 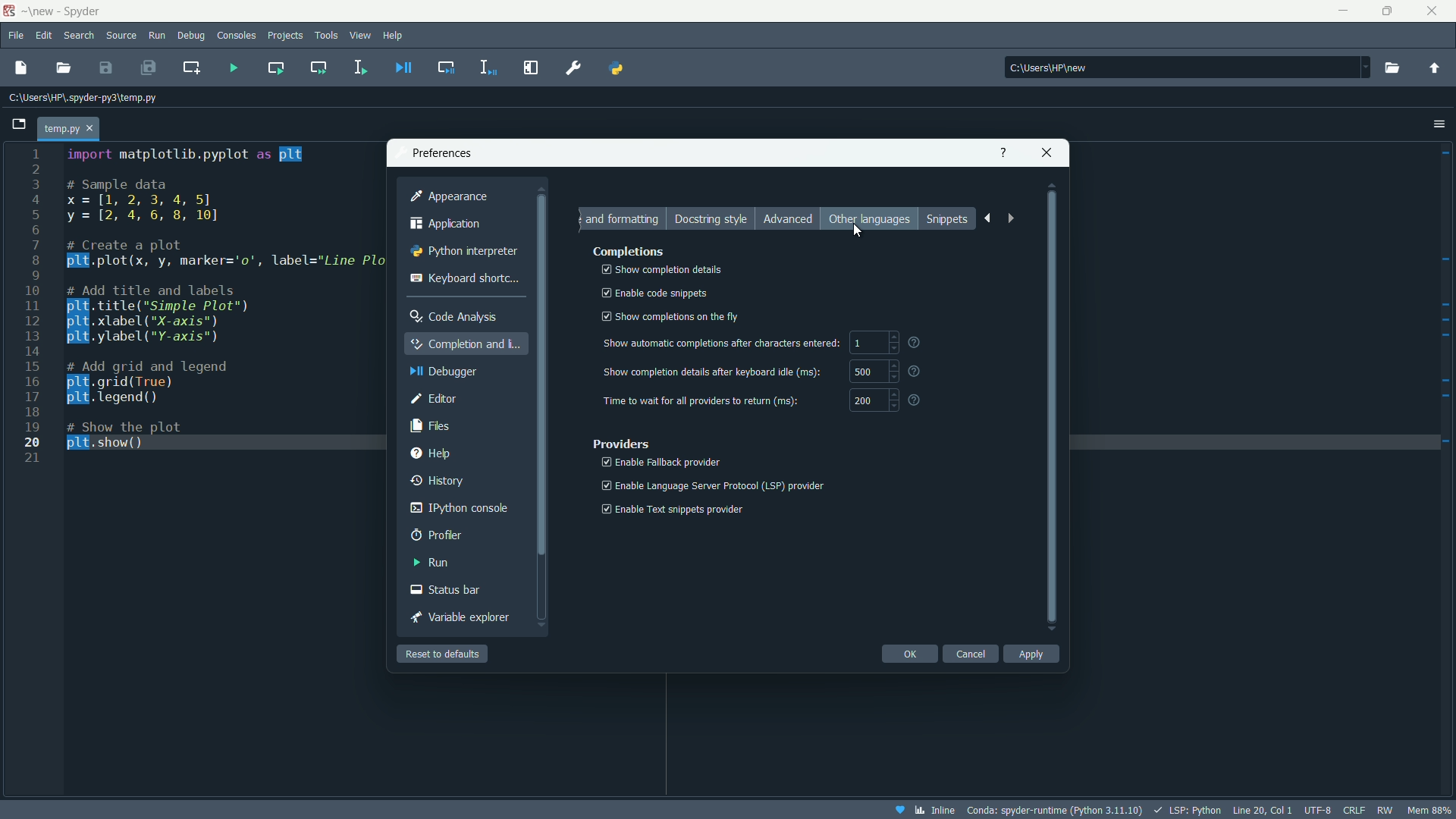 What do you see at coordinates (447, 224) in the screenshot?
I see `application` at bounding box center [447, 224].